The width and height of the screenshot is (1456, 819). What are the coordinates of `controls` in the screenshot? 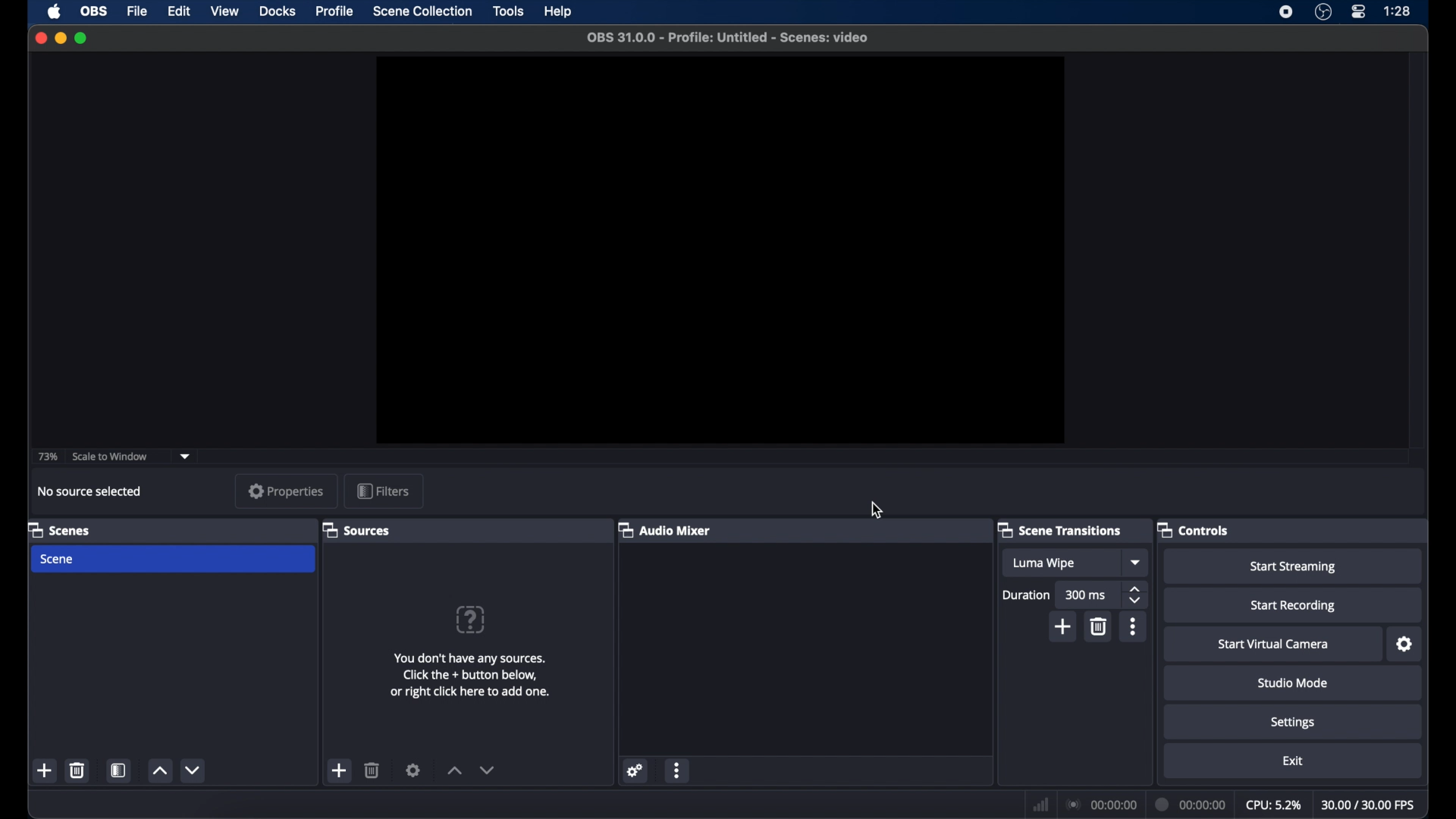 It's located at (1195, 530).